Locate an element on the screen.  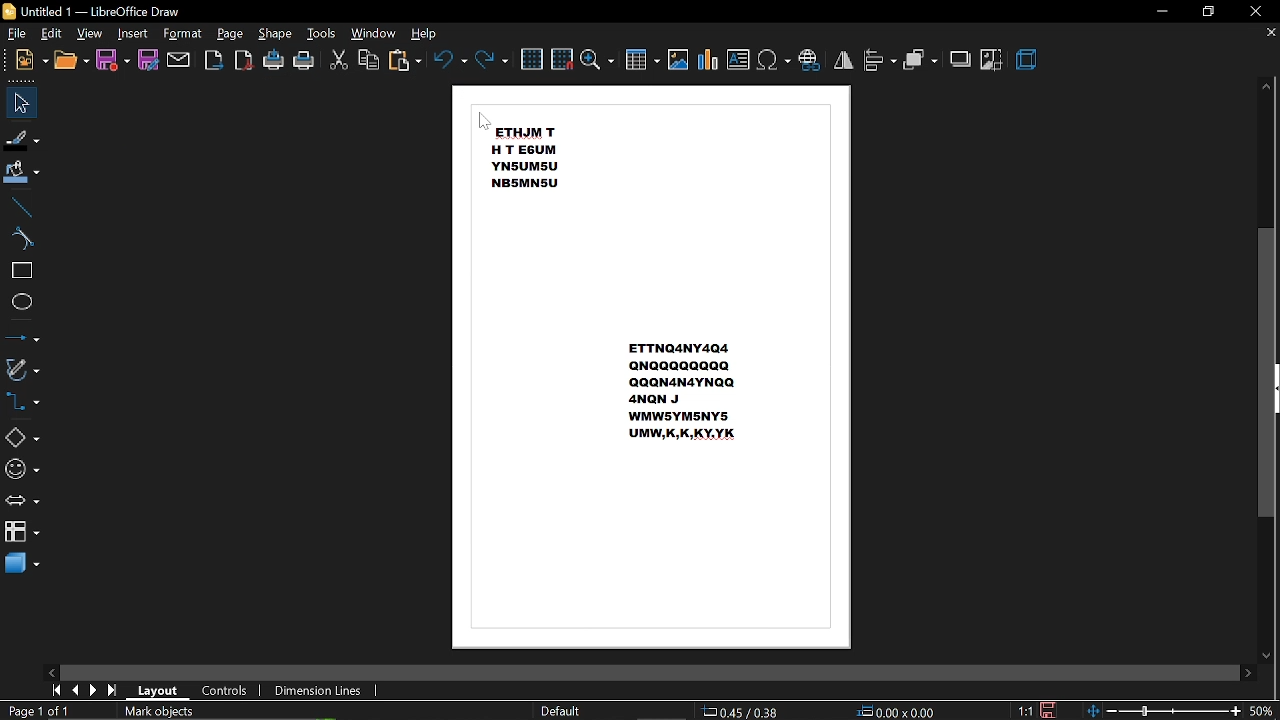
window is located at coordinates (374, 34).